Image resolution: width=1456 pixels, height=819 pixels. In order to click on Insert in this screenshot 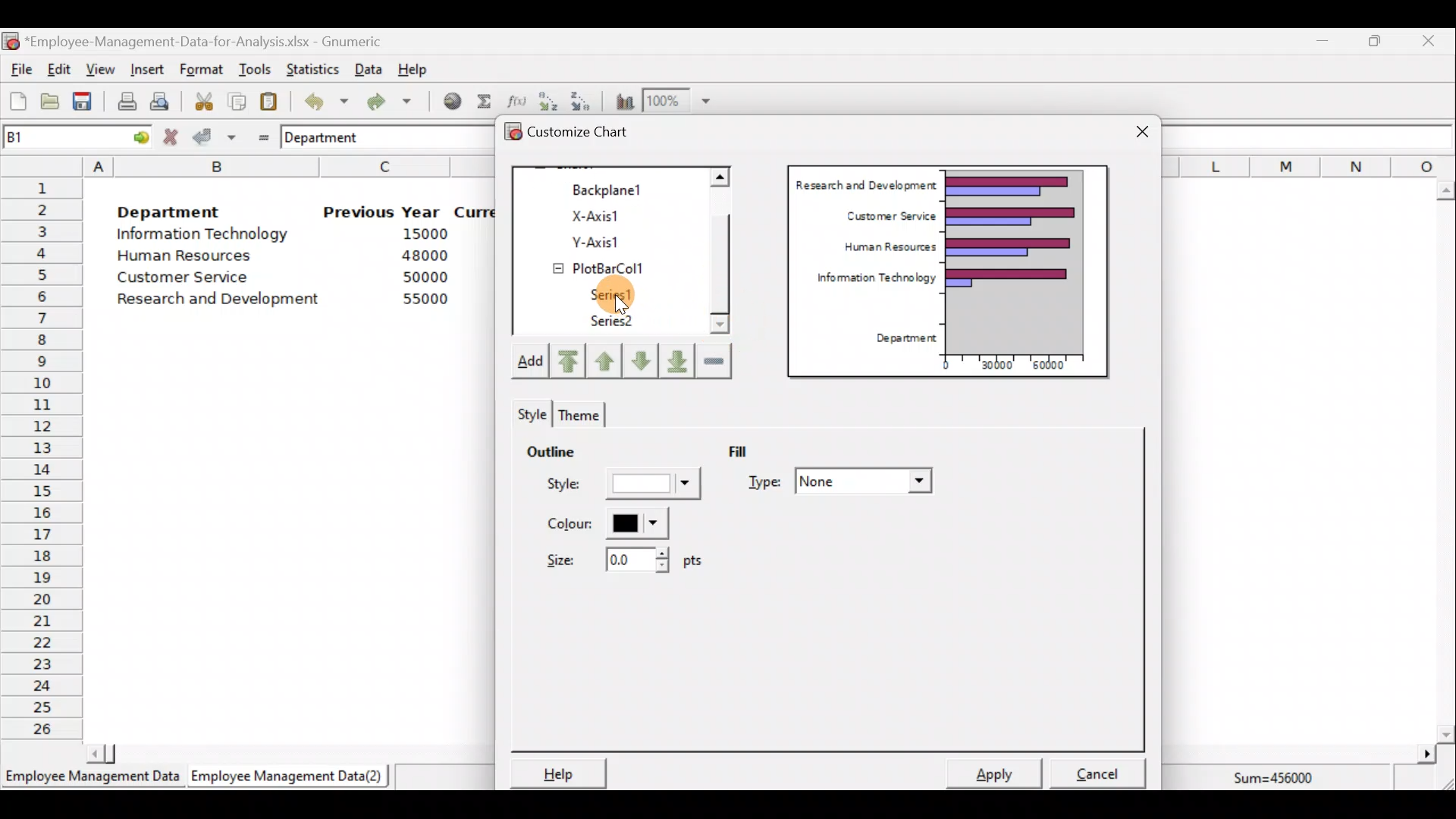, I will do `click(146, 70)`.